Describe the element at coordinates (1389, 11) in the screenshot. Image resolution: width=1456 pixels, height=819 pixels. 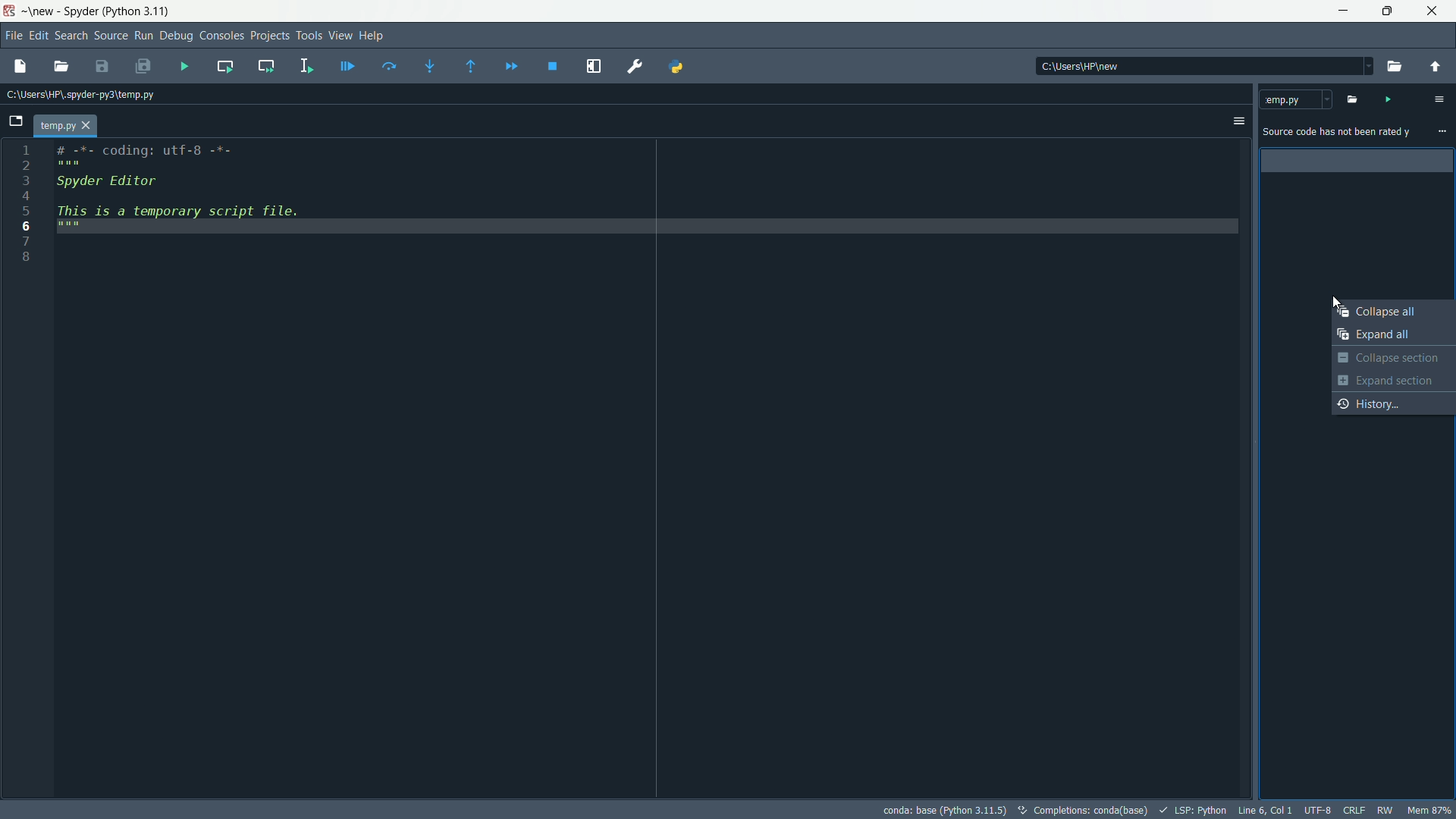
I see `maximize` at that location.